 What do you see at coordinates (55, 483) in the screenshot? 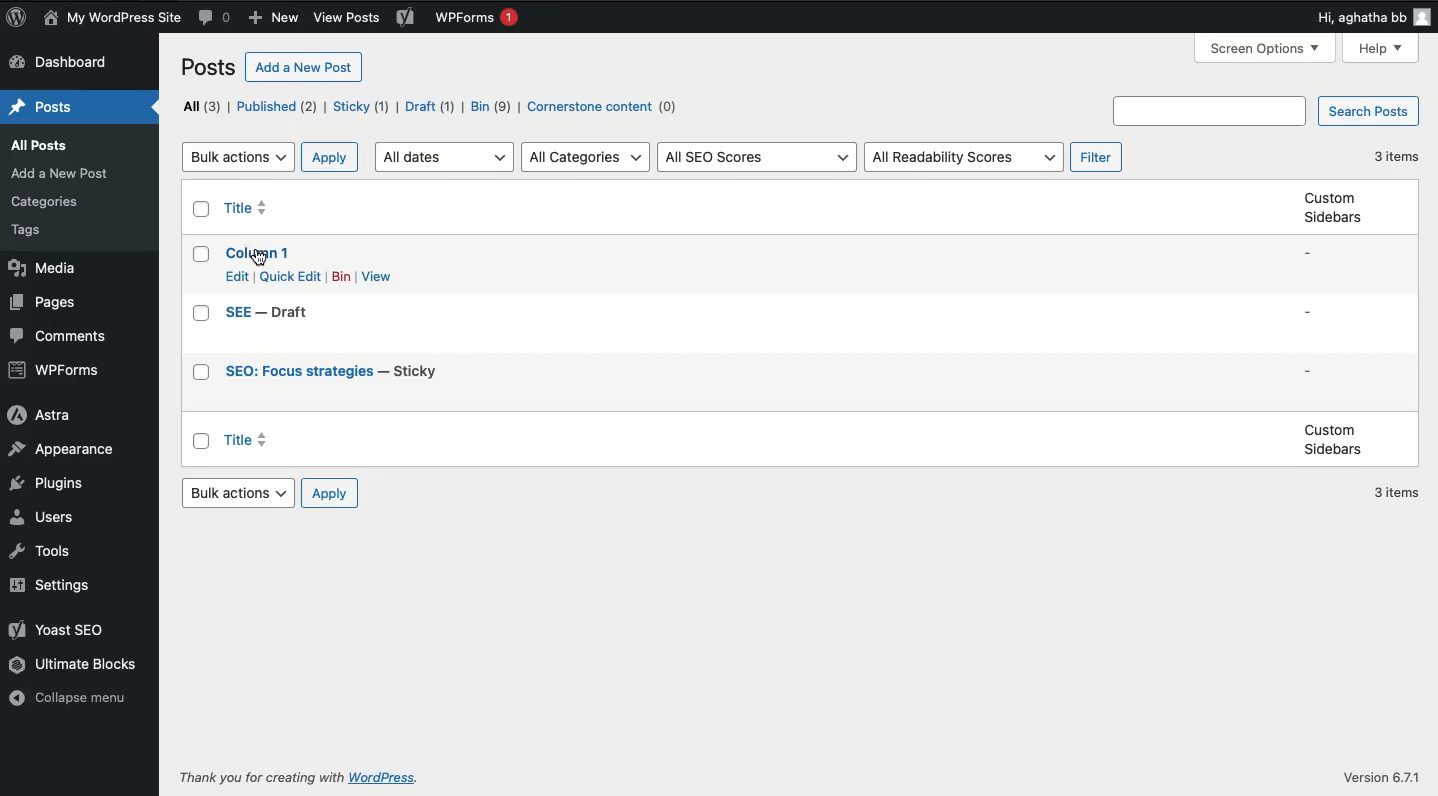
I see `Plugins ` at bounding box center [55, 483].